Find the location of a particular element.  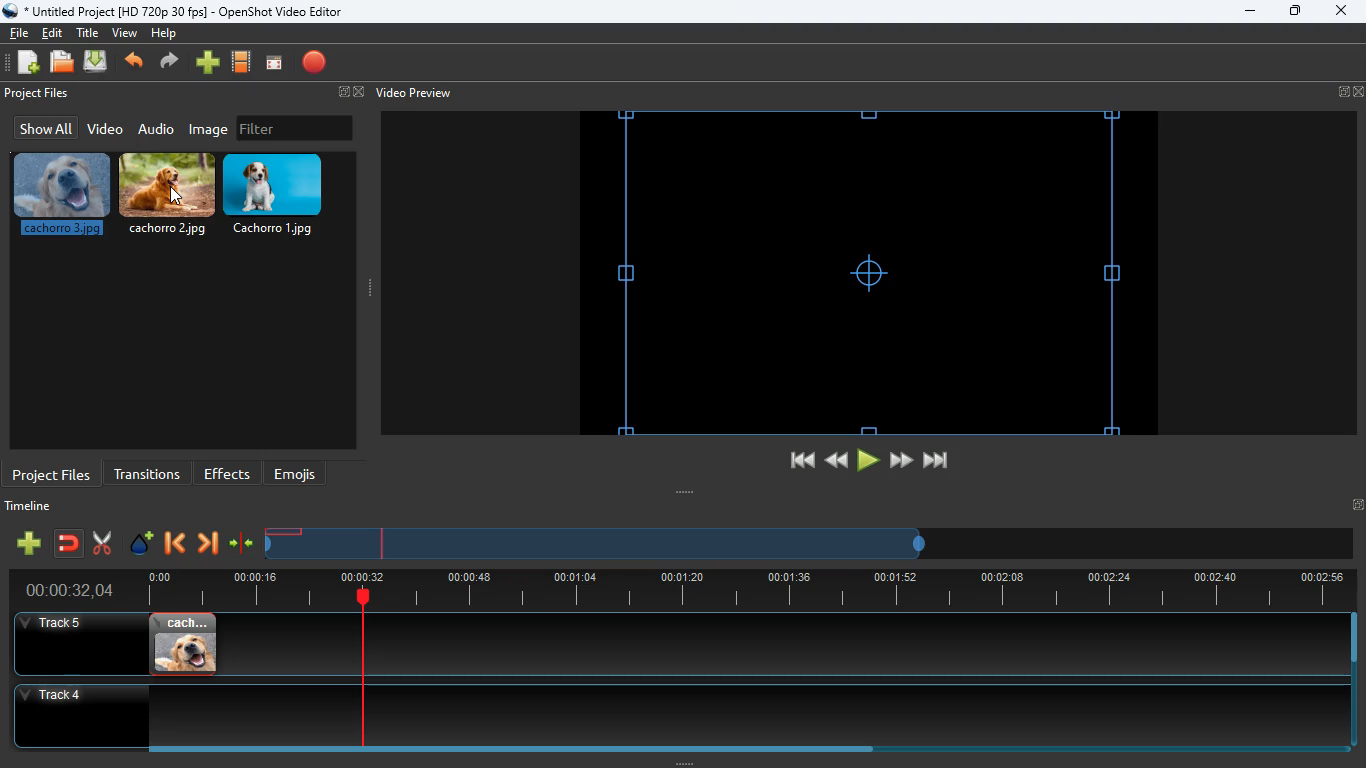

title is located at coordinates (90, 32).